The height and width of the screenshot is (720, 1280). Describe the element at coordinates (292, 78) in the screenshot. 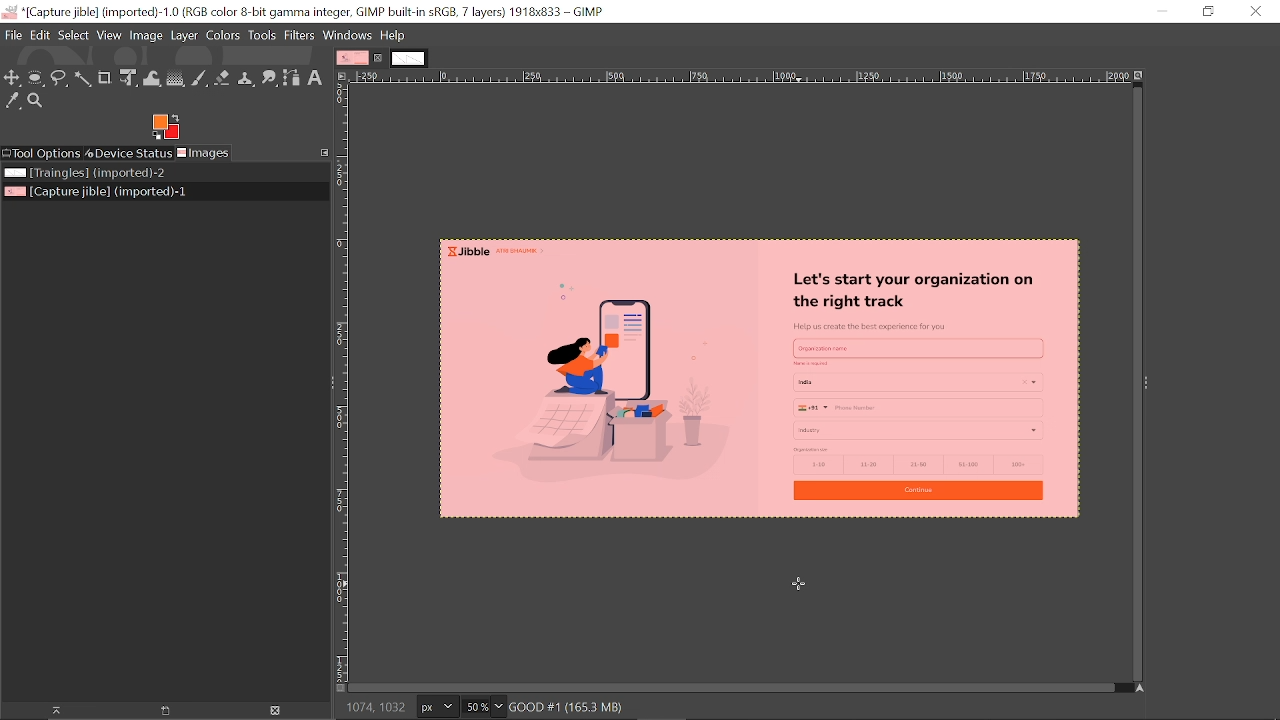

I see `Path tool` at that location.